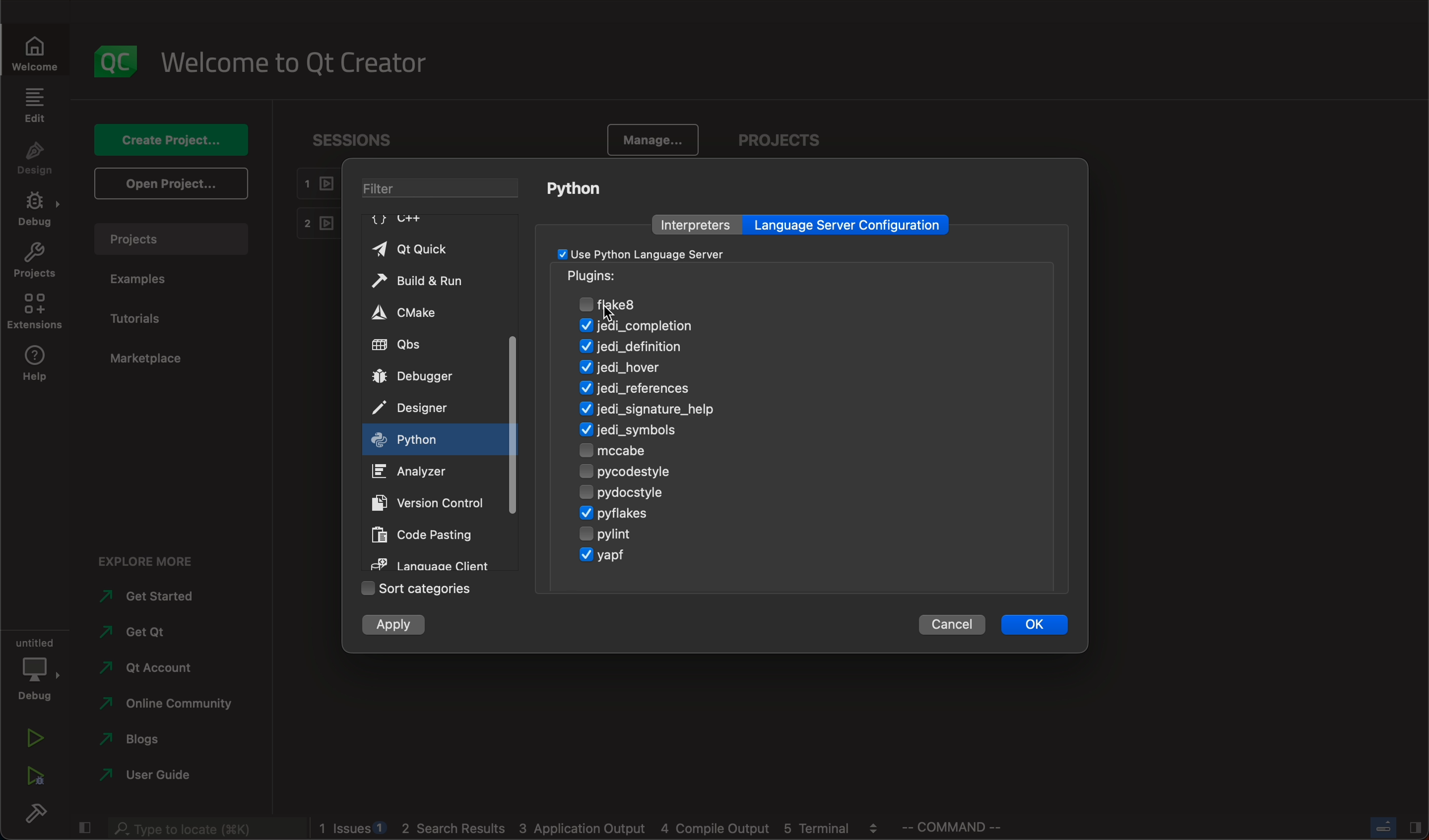 Image resolution: width=1429 pixels, height=840 pixels. What do you see at coordinates (627, 472) in the screenshot?
I see `pycodestyle` at bounding box center [627, 472].